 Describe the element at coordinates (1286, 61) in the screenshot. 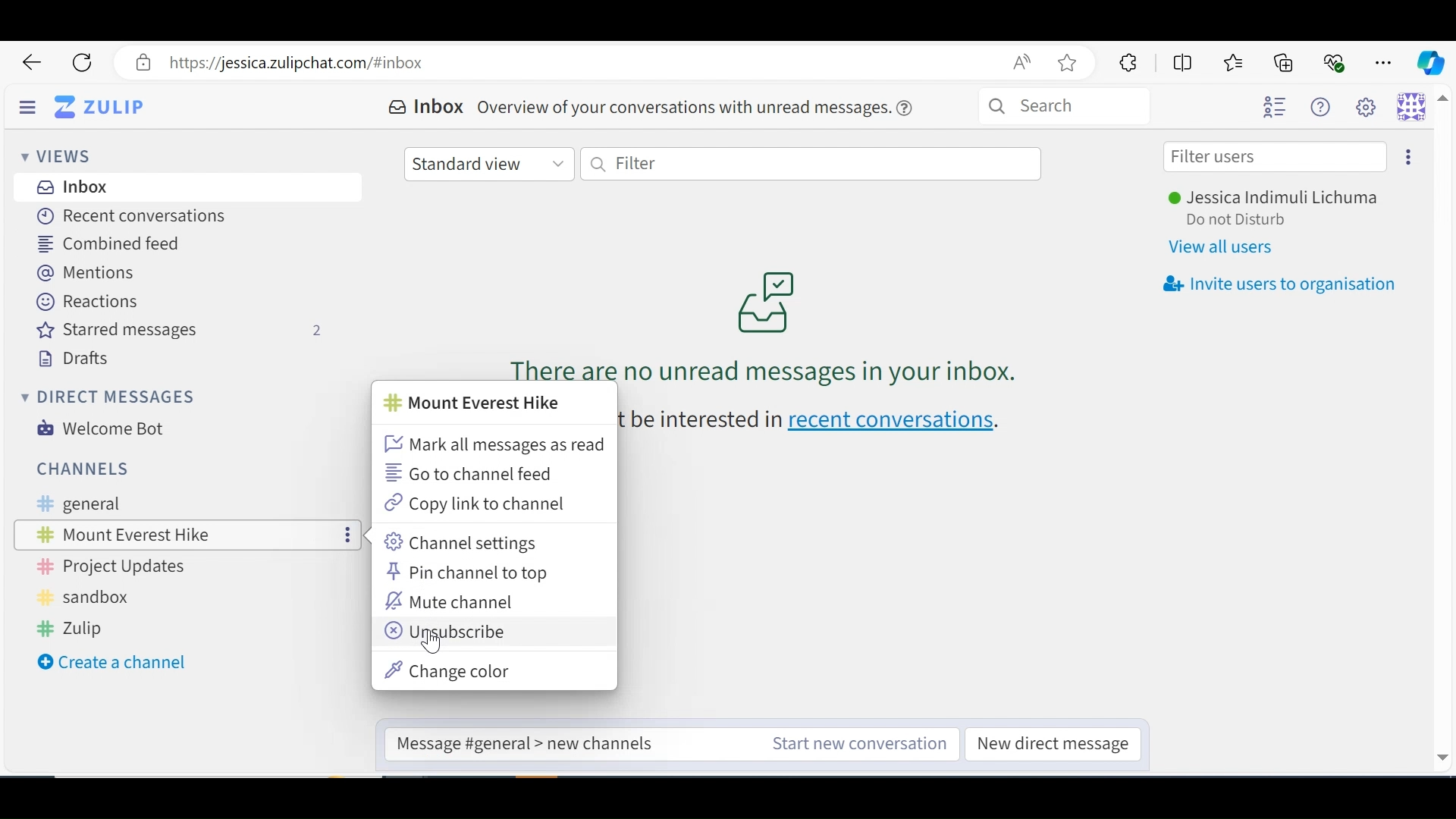

I see `Collections` at that location.